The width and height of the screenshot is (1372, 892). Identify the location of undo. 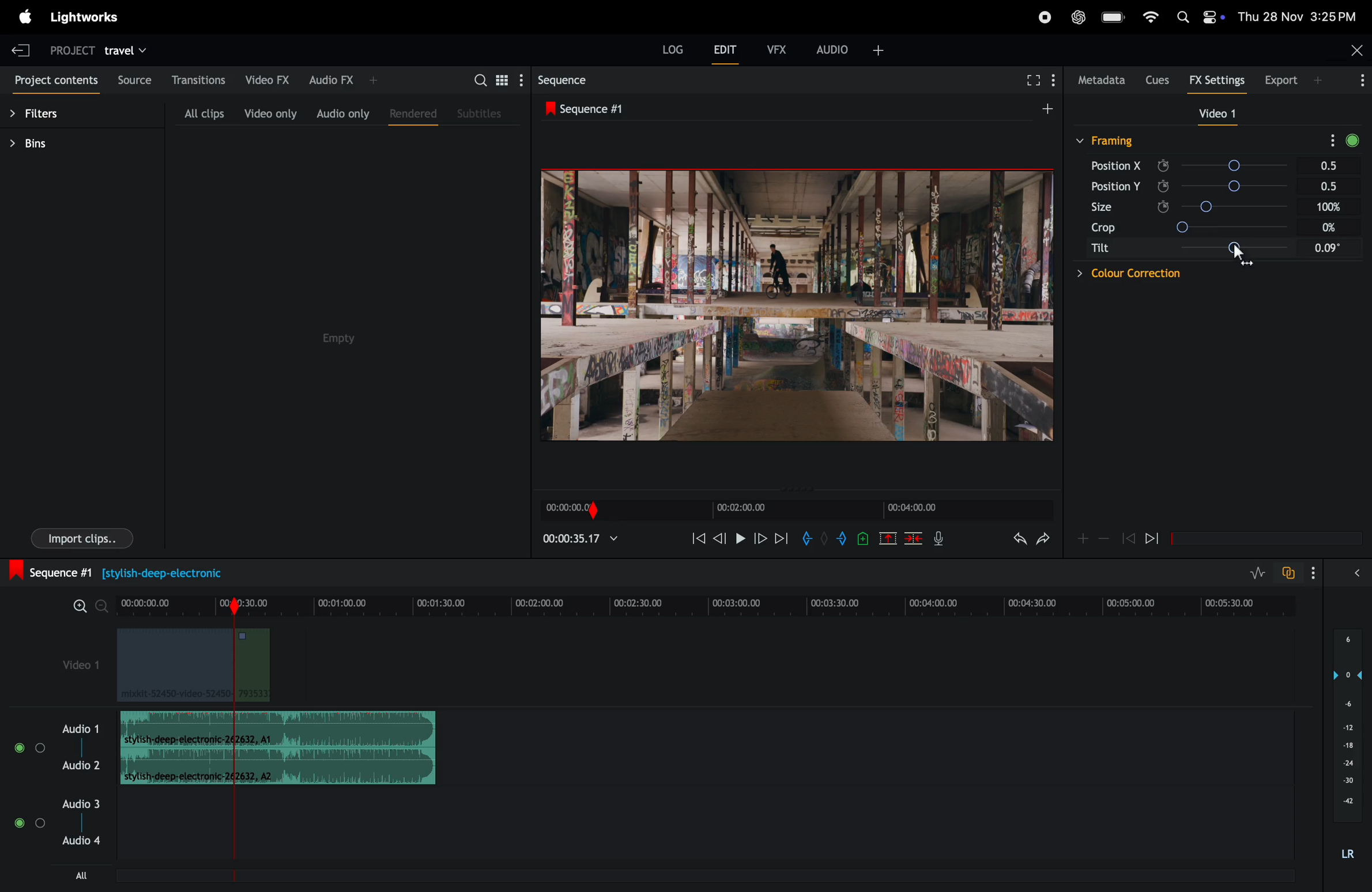
(1017, 541).